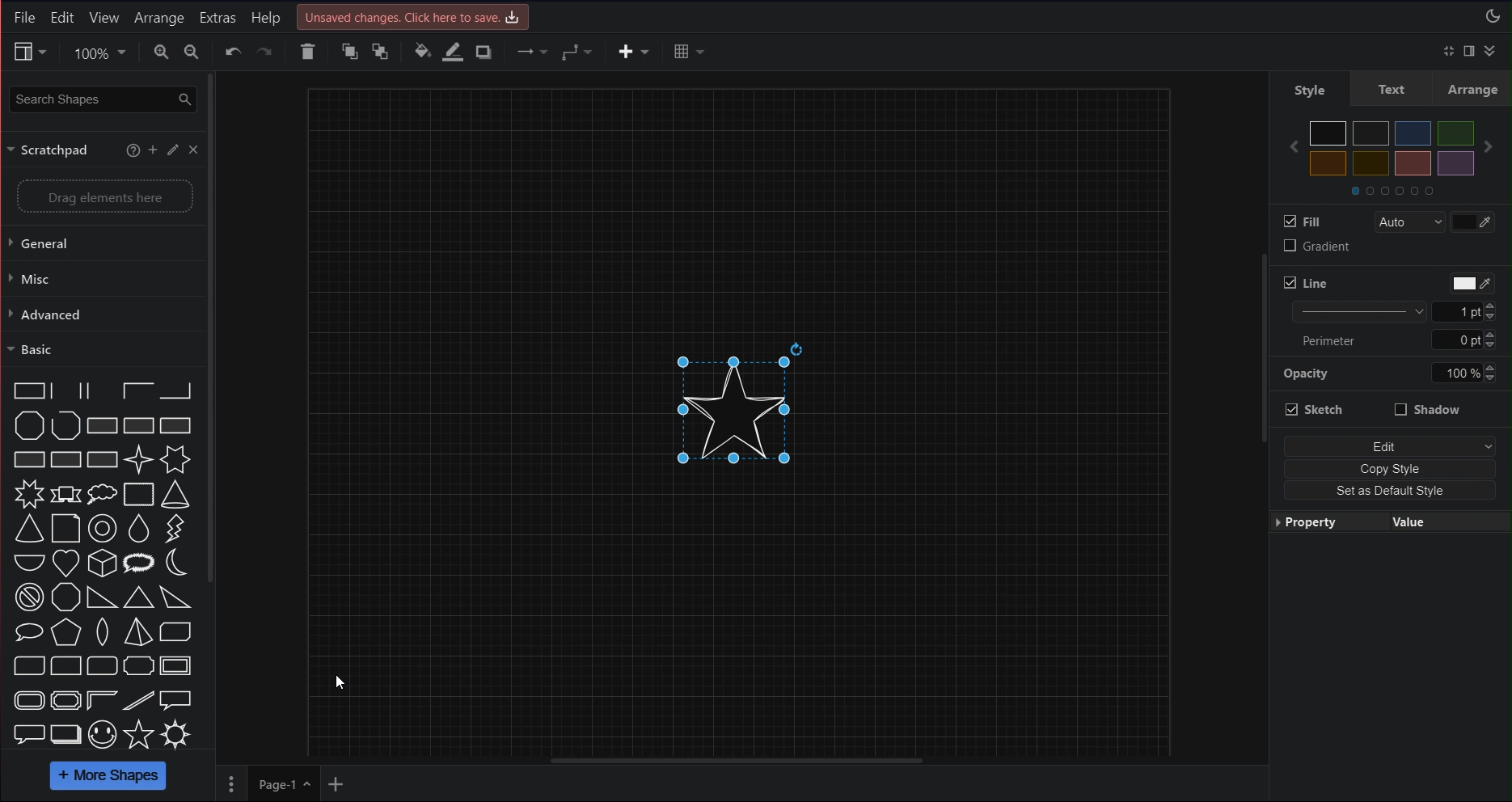  What do you see at coordinates (28, 597) in the screenshot?
I see `no symbol` at bounding box center [28, 597].